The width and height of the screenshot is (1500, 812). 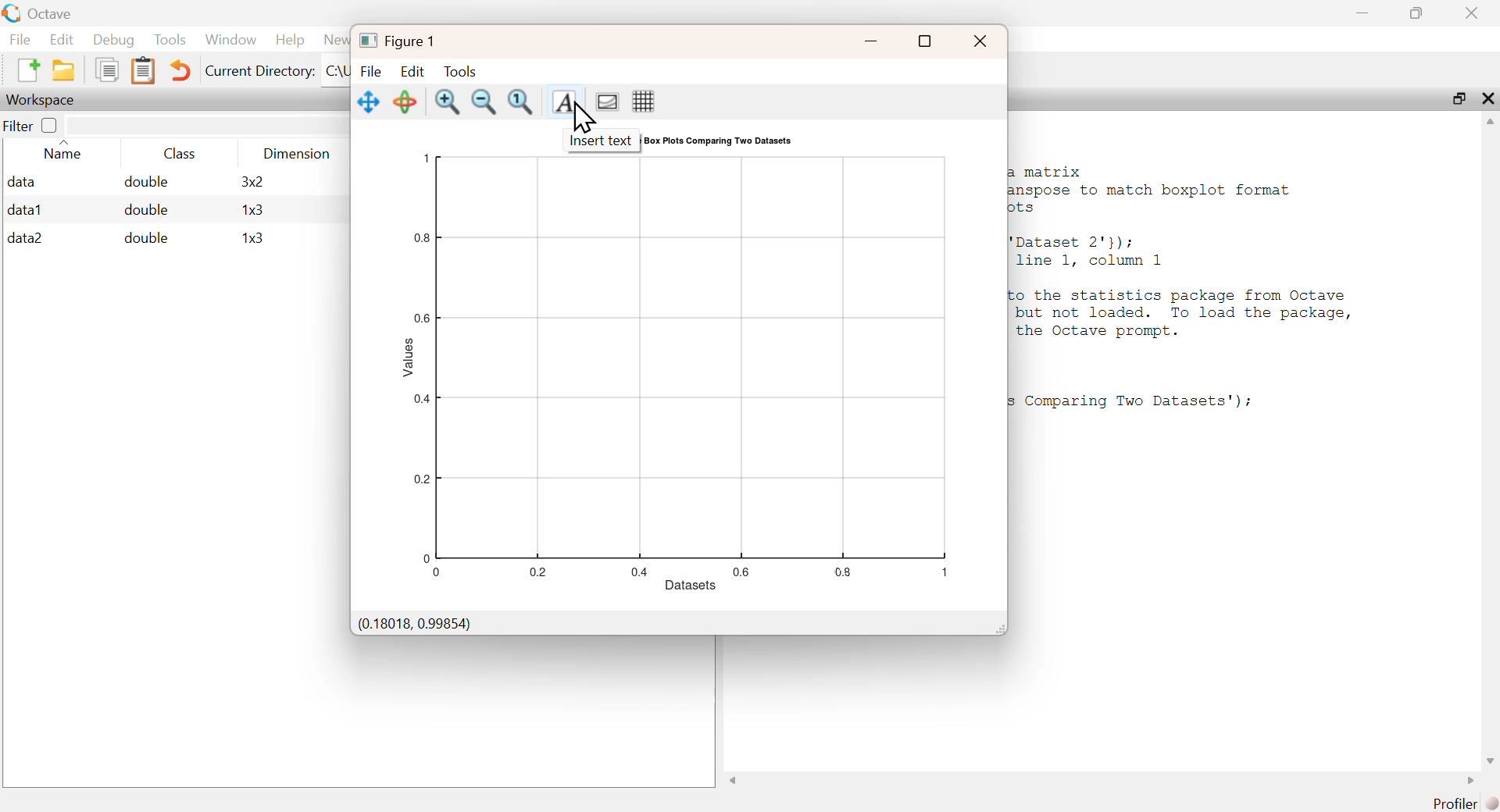 What do you see at coordinates (691, 366) in the screenshot?
I see `Graph` at bounding box center [691, 366].